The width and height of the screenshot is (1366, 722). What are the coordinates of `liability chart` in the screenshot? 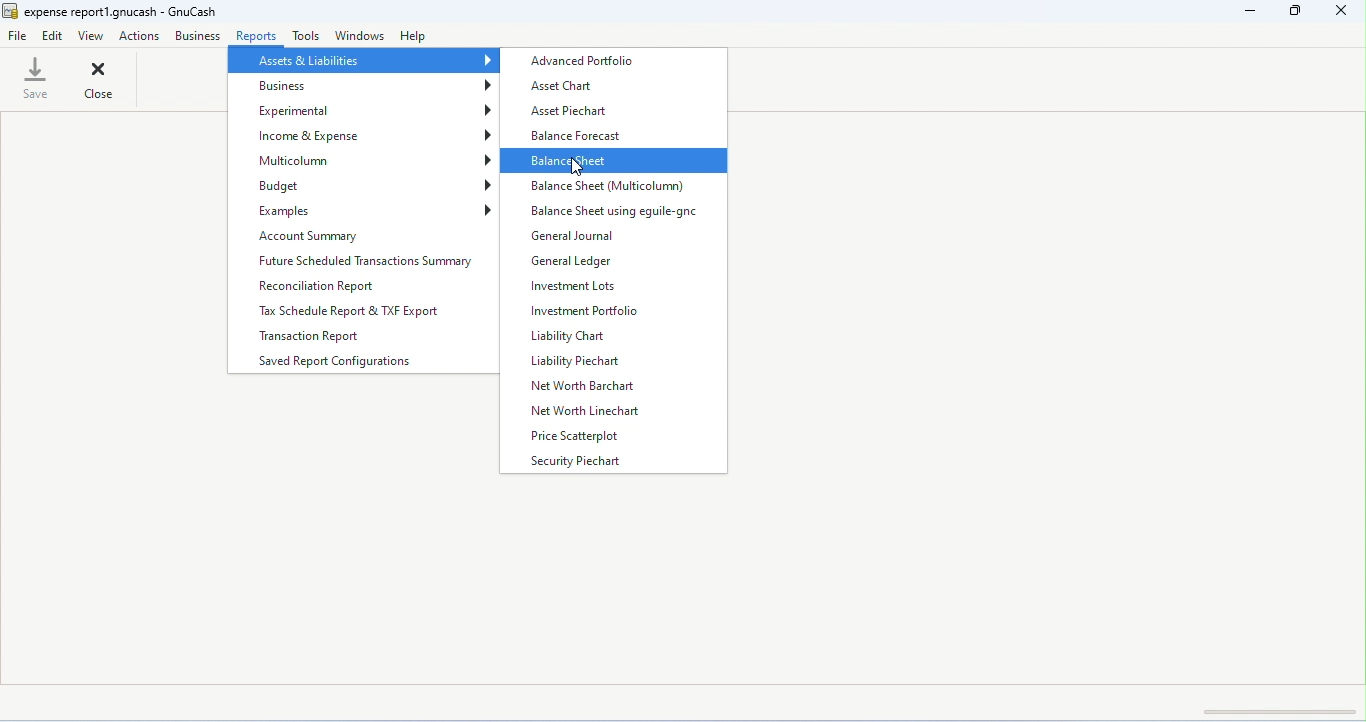 It's located at (569, 337).